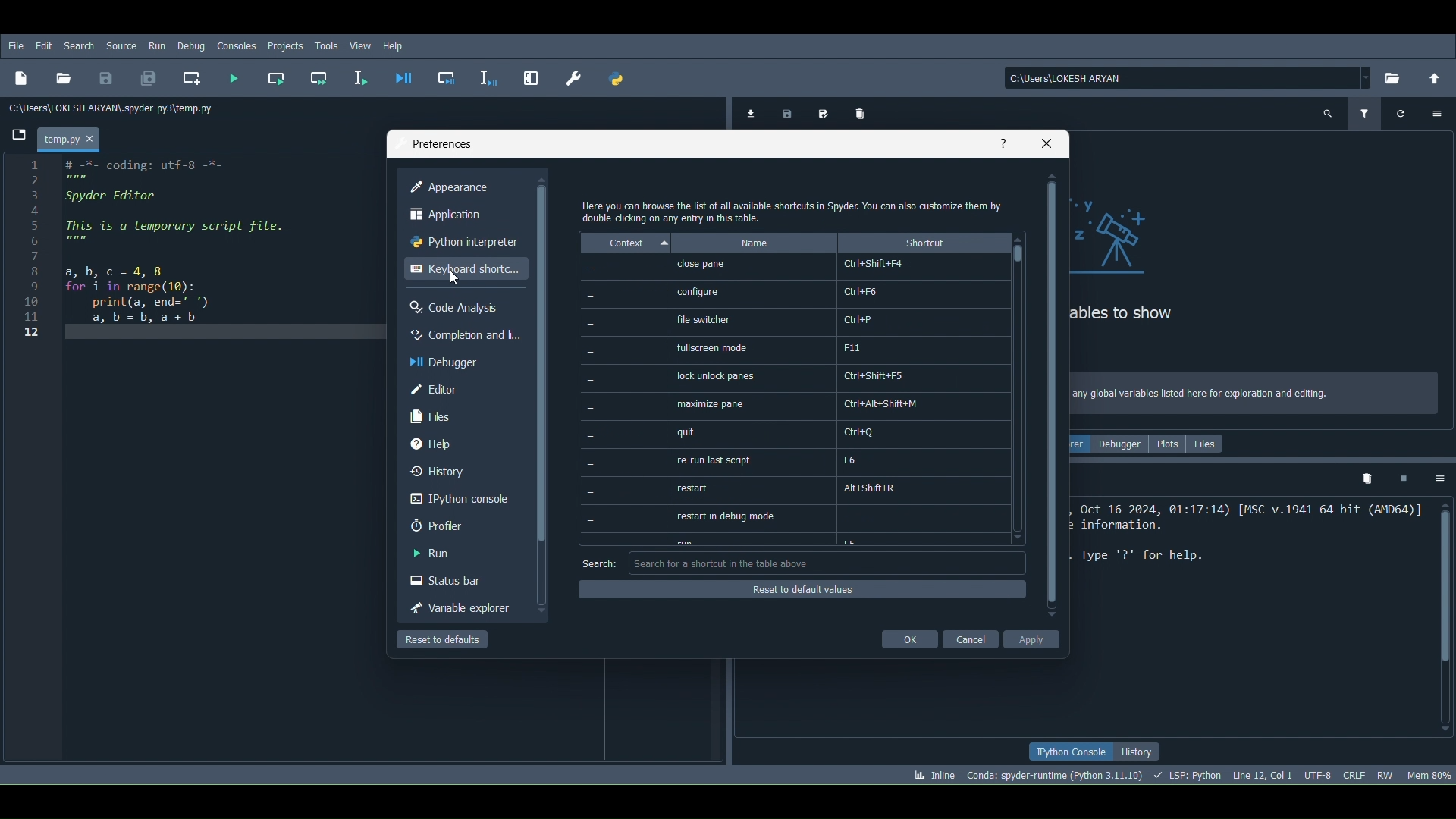 This screenshot has height=819, width=1456. I want to click on code, so click(163, 256).